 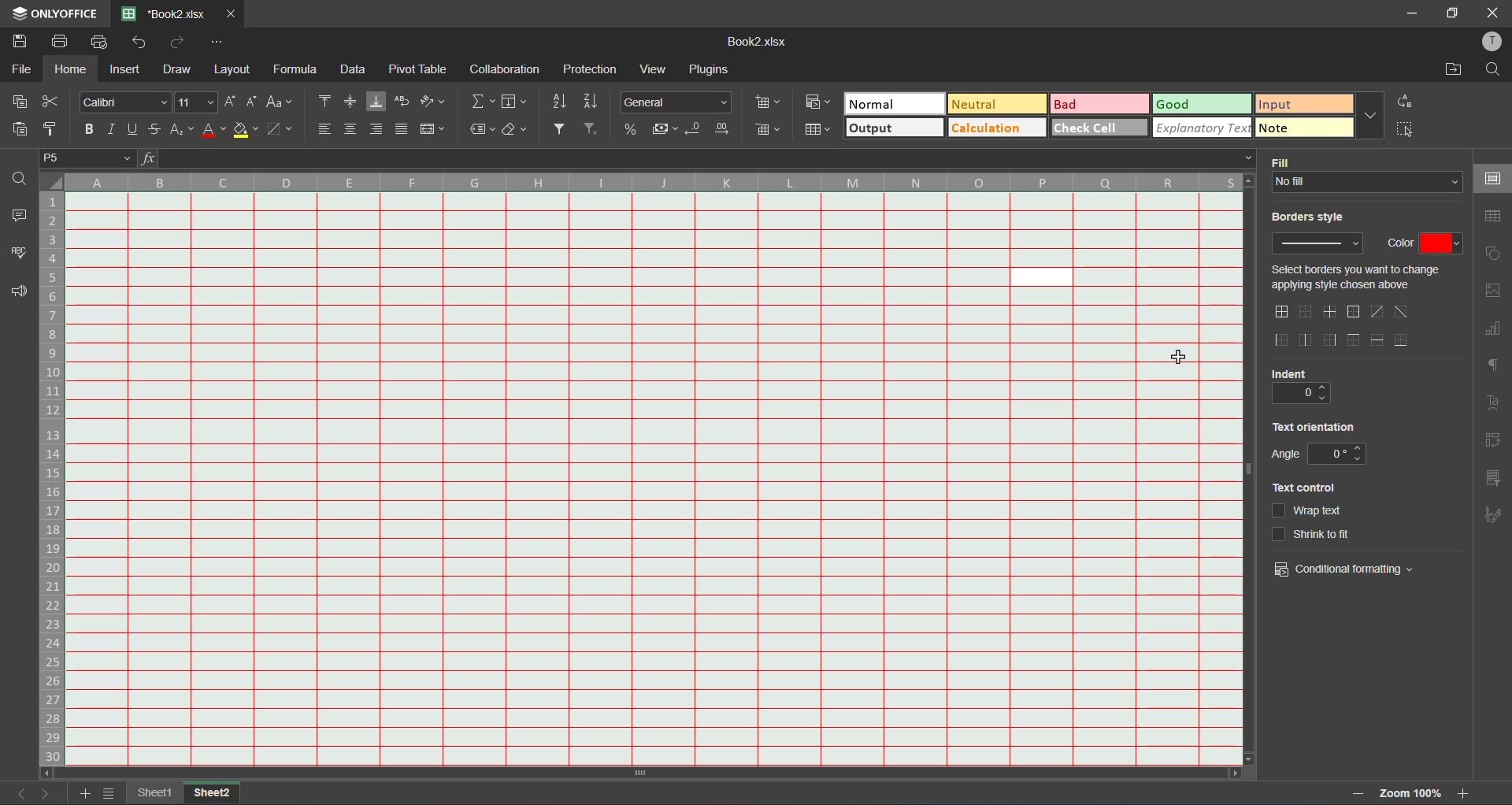 What do you see at coordinates (1377, 339) in the screenshot?
I see `horizontal line only` at bounding box center [1377, 339].